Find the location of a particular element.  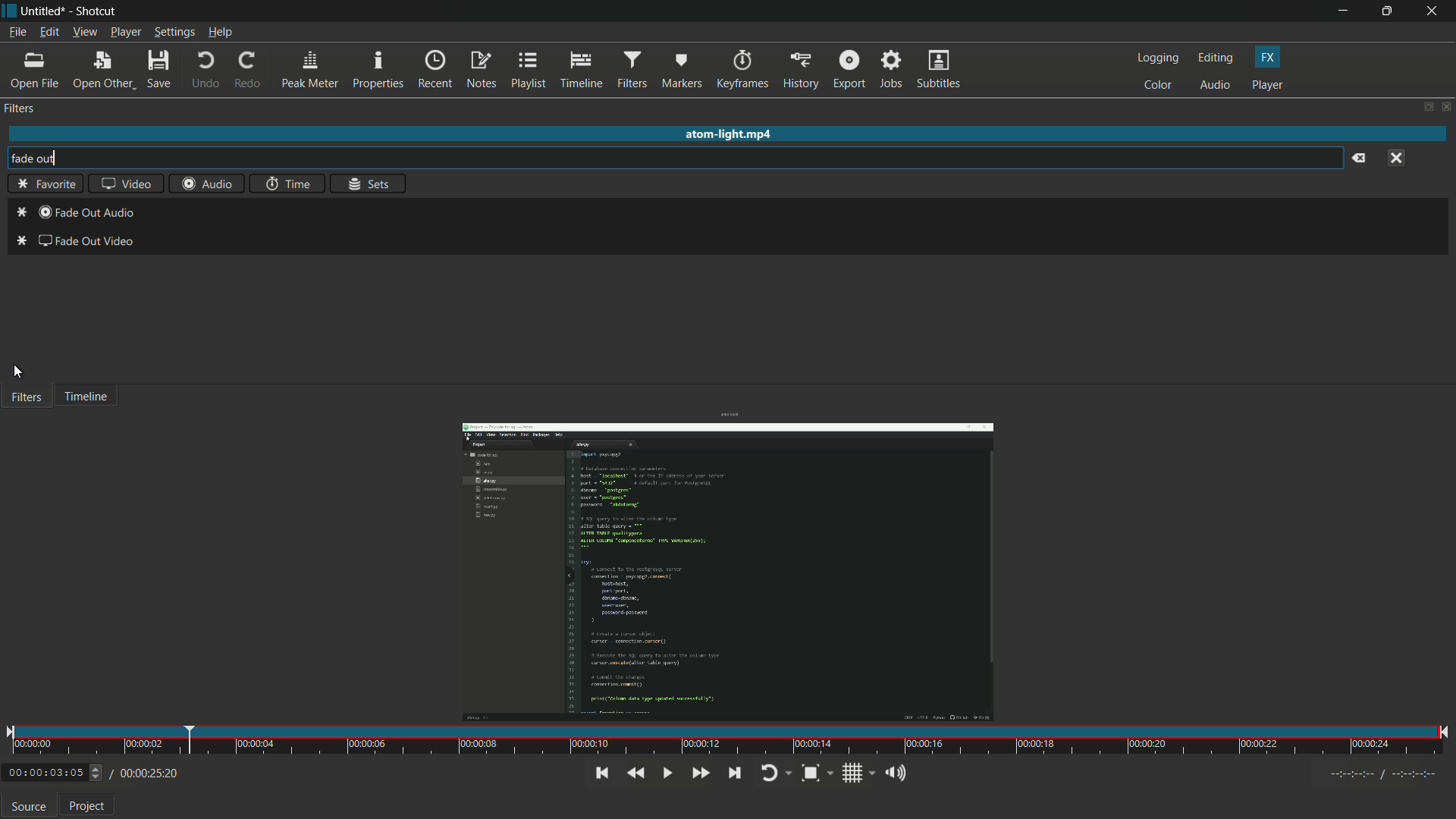

show volume control is located at coordinates (894, 774).